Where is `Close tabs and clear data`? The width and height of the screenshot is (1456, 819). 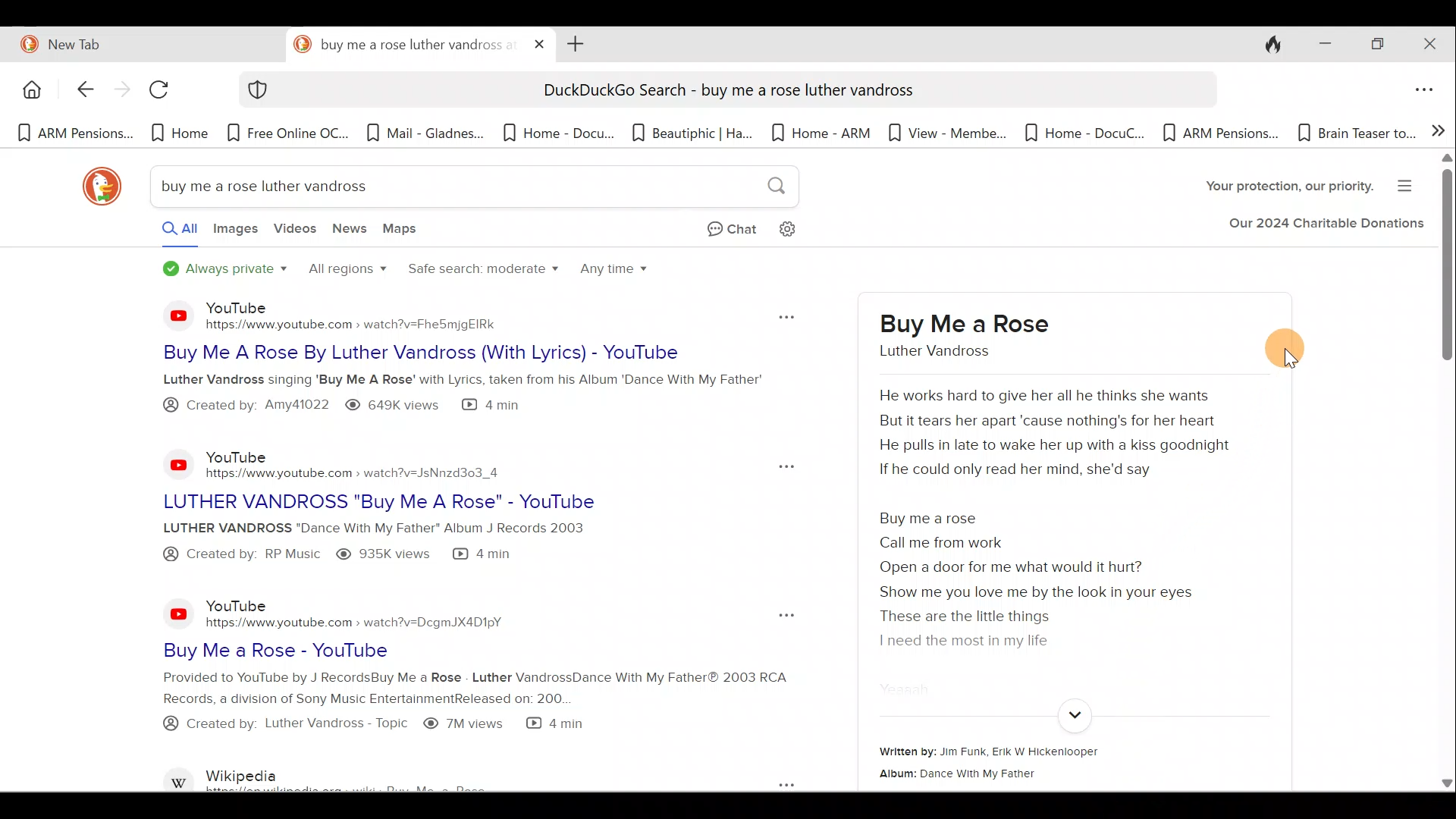
Close tabs and clear data is located at coordinates (1265, 42).